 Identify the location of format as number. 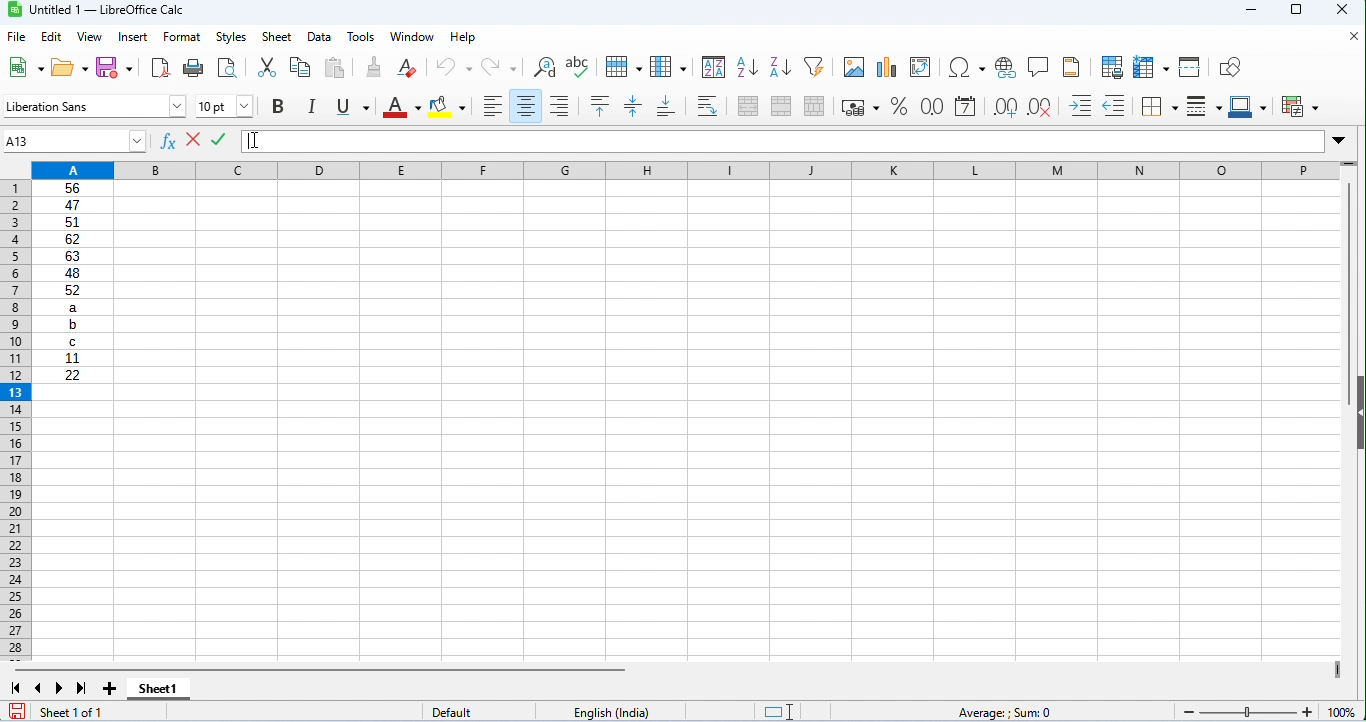
(931, 106).